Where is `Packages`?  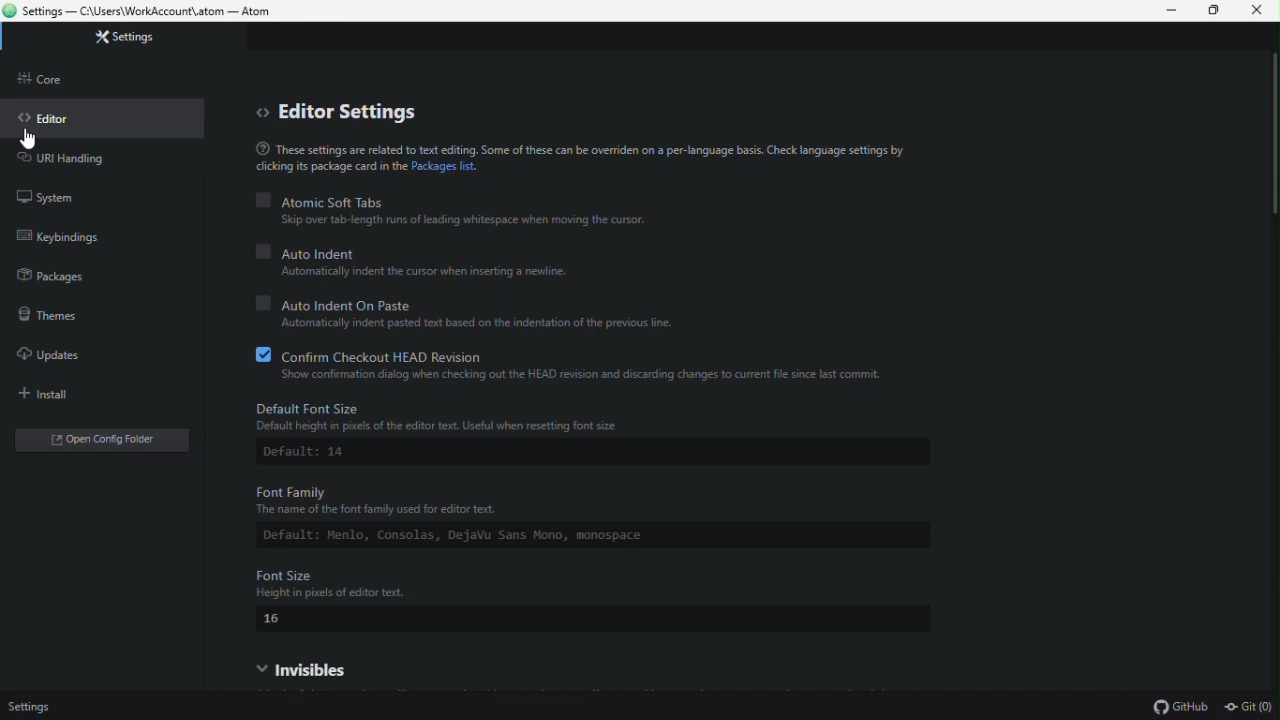 Packages is located at coordinates (59, 279).